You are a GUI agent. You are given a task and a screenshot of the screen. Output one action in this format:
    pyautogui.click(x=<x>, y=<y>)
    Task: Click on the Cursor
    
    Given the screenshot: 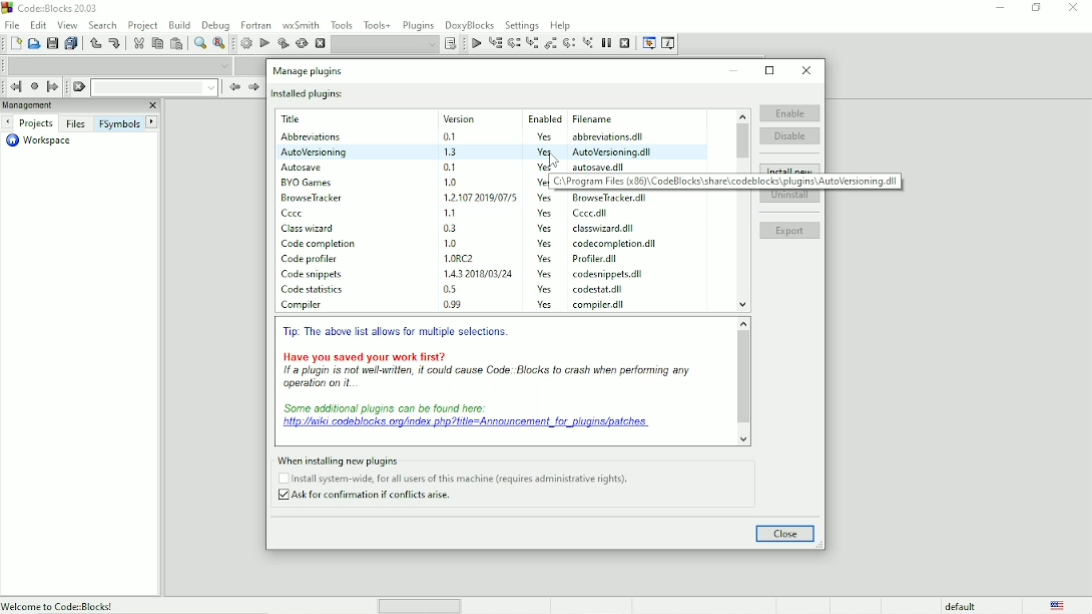 What is the action you would take?
    pyautogui.click(x=551, y=157)
    